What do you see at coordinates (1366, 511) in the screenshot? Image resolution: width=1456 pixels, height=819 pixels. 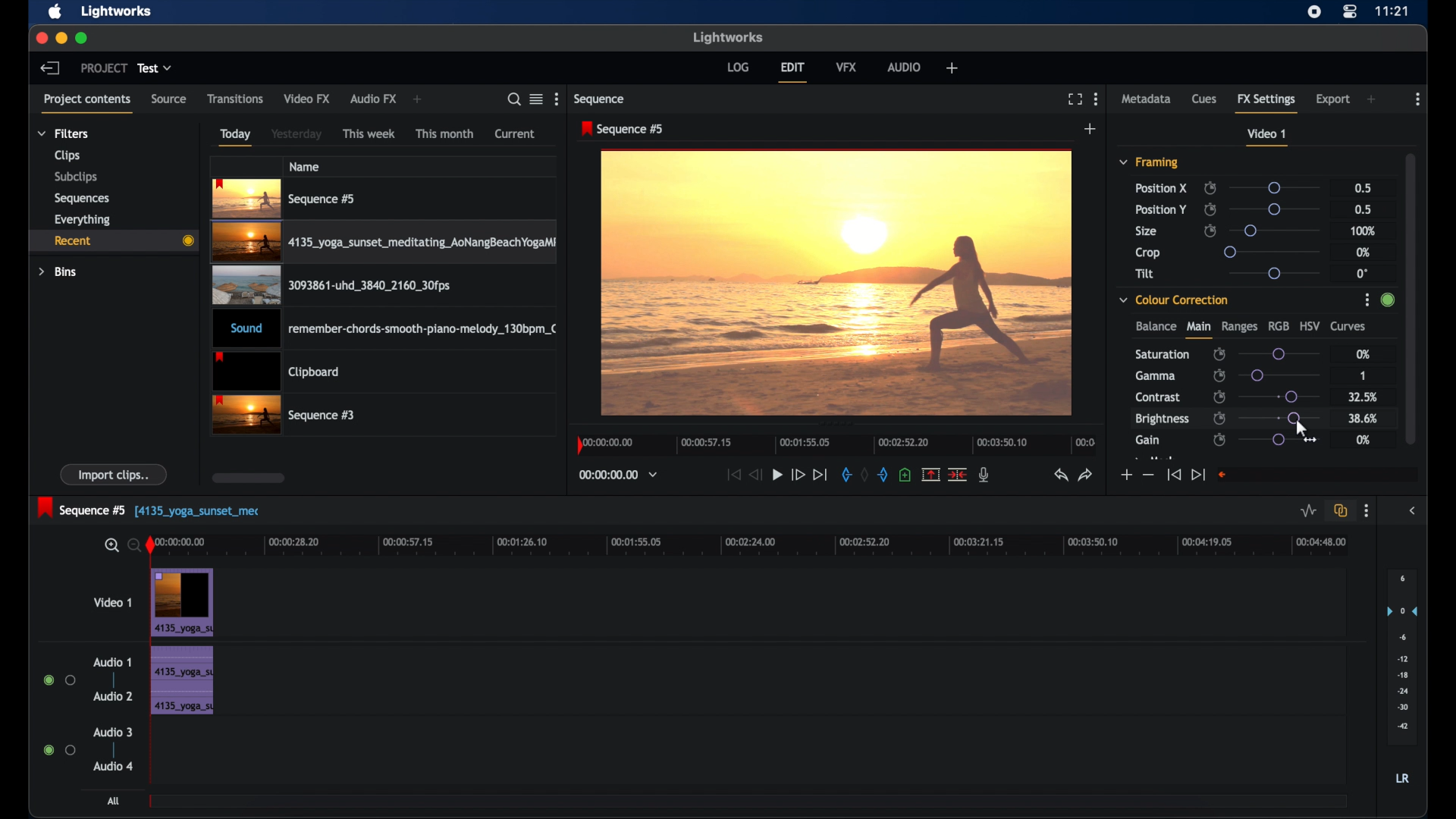 I see `more options` at bounding box center [1366, 511].